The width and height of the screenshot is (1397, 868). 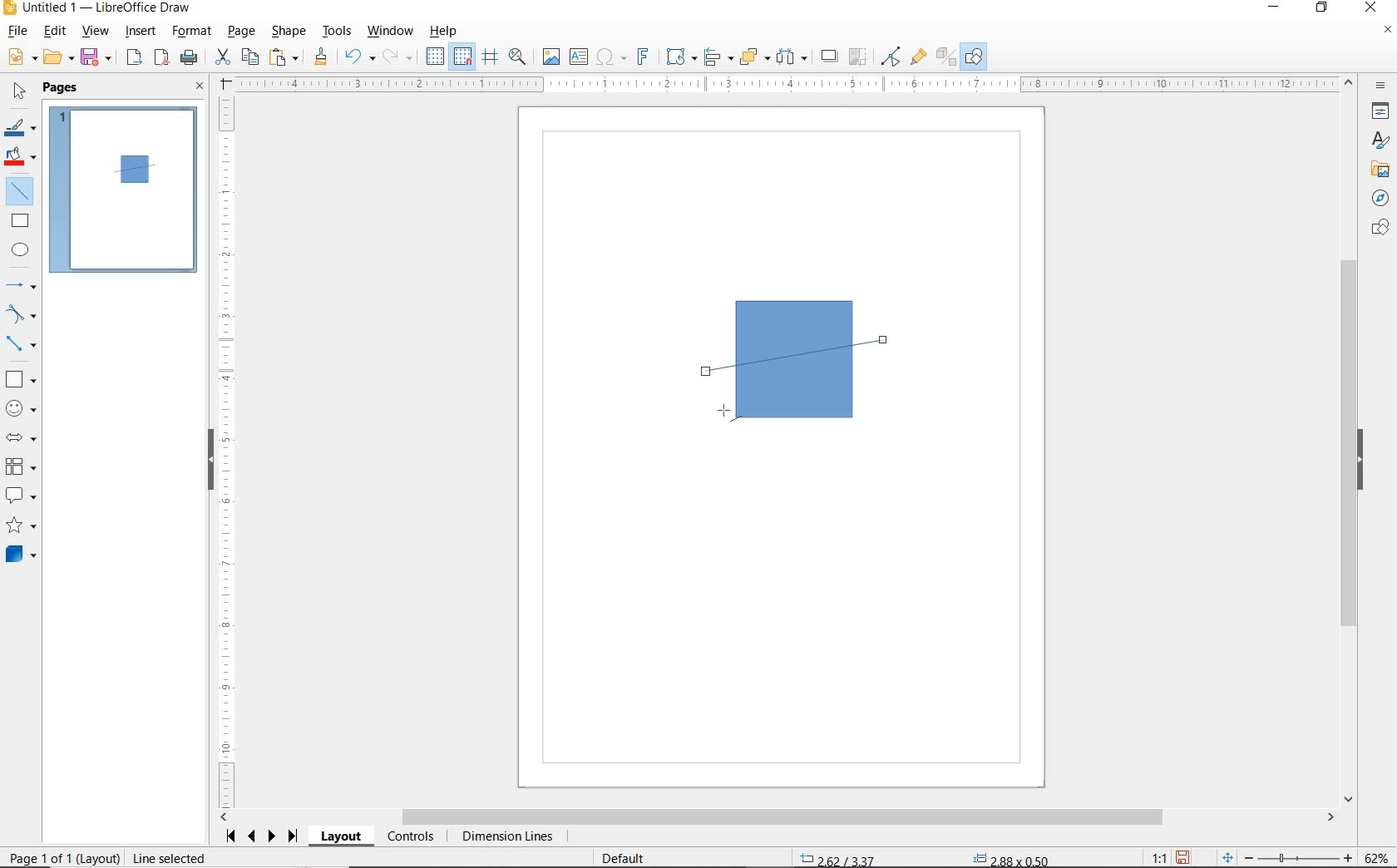 What do you see at coordinates (1378, 229) in the screenshot?
I see `SHAPES` at bounding box center [1378, 229].